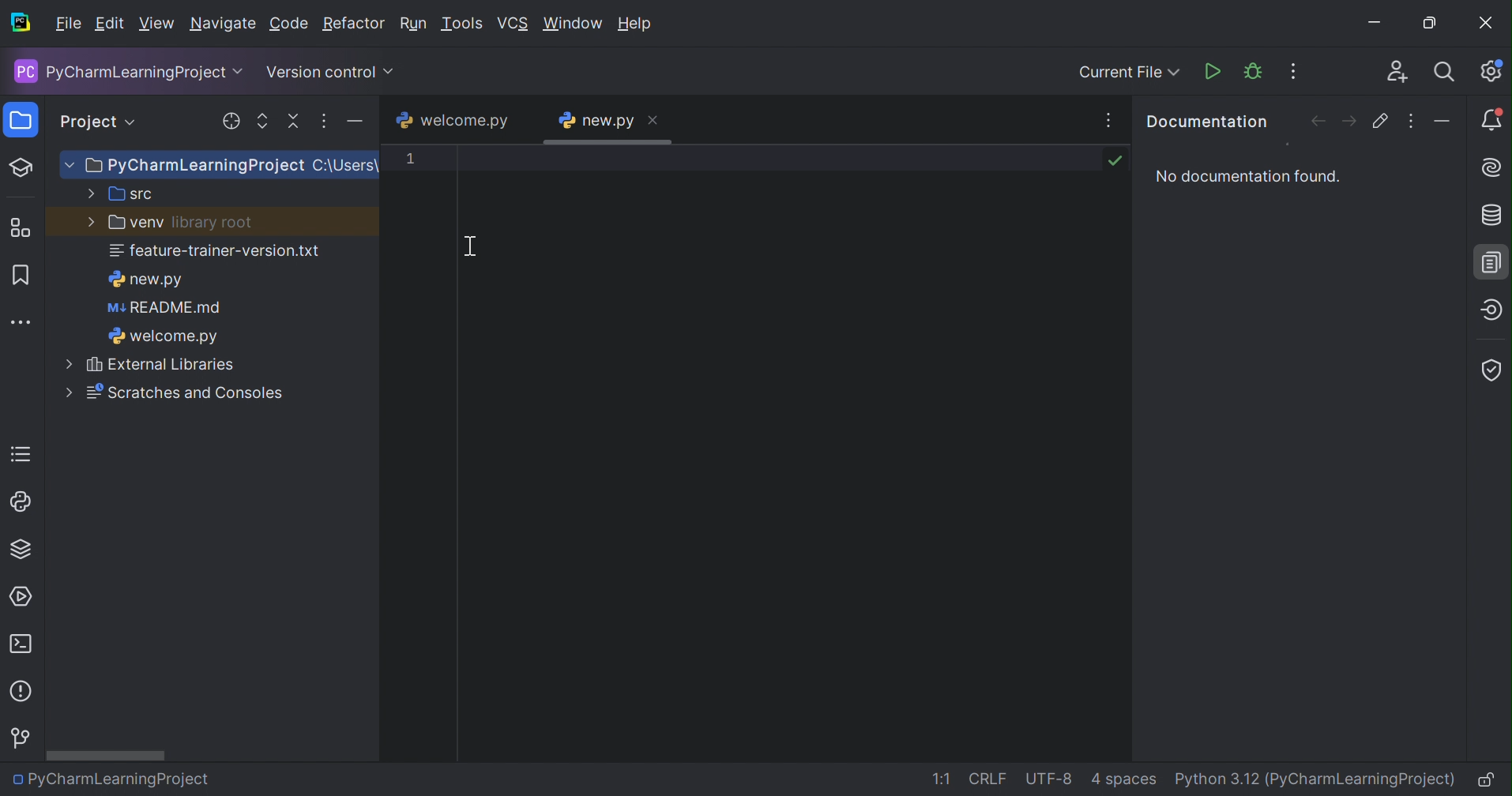 This screenshot has height=796, width=1512. What do you see at coordinates (1348, 121) in the screenshot?
I see `Forward` at bounding box center [1348, 121].